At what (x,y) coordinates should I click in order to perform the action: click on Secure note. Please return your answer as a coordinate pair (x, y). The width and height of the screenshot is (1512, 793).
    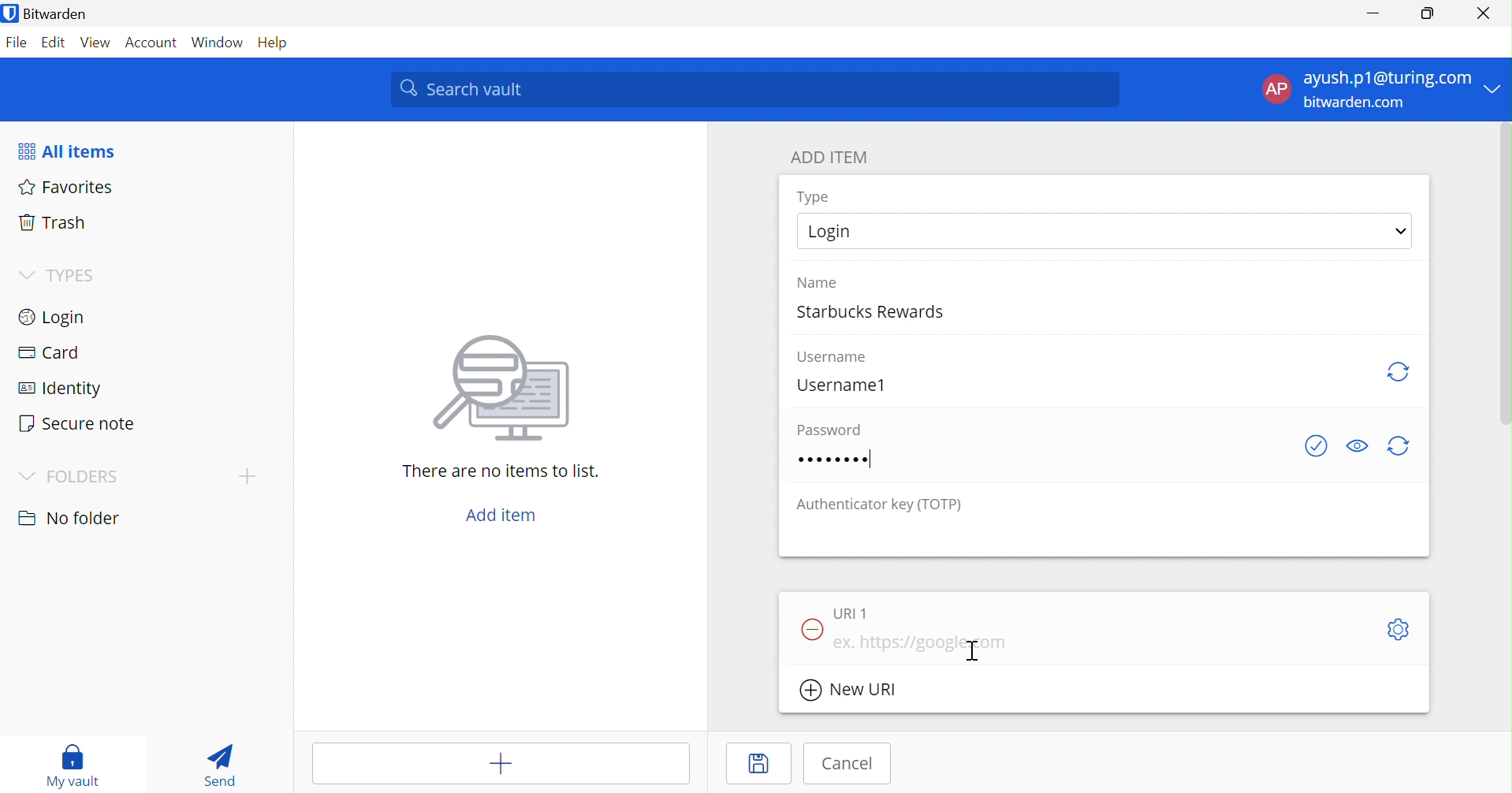
    Looking at the image, I should click on (77, 423).